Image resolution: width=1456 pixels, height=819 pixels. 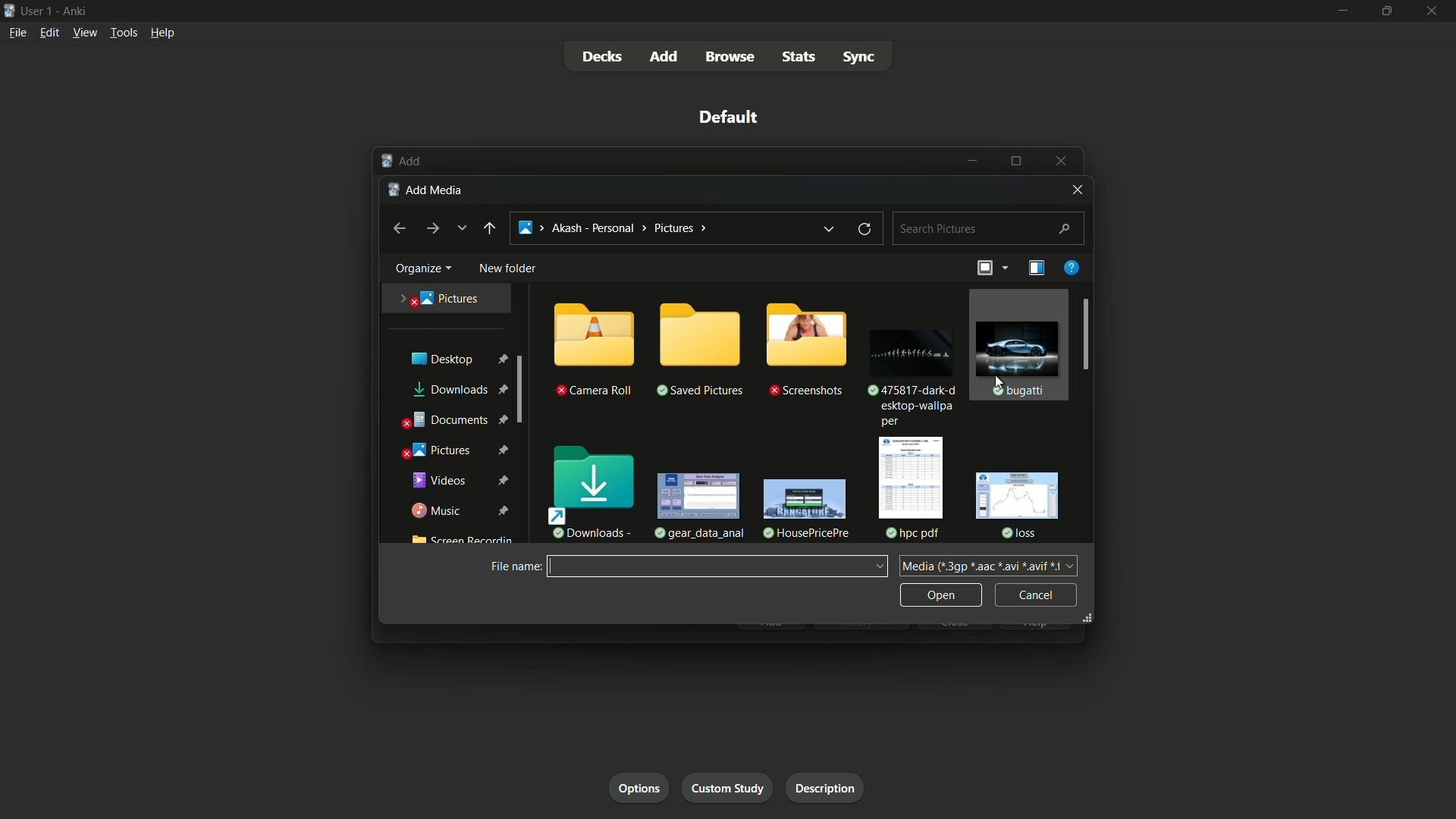 What do you see at coordinates (37, 9) in the screenshot?
I see `user-1` at bounding box center [37, 9].